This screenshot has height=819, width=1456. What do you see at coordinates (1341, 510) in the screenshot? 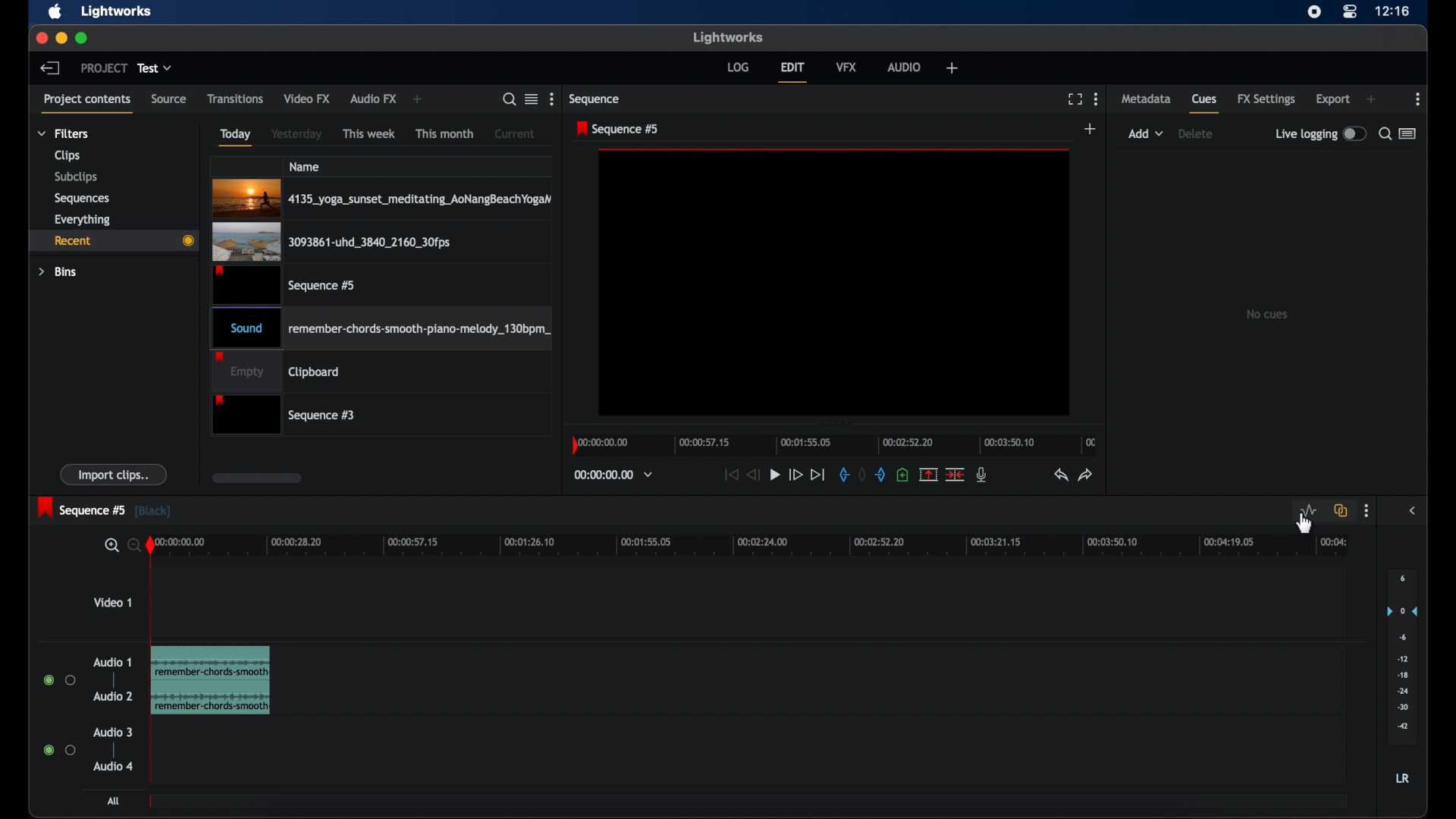
I see `toggle auto track sync` at bounding box center [1341, 510].